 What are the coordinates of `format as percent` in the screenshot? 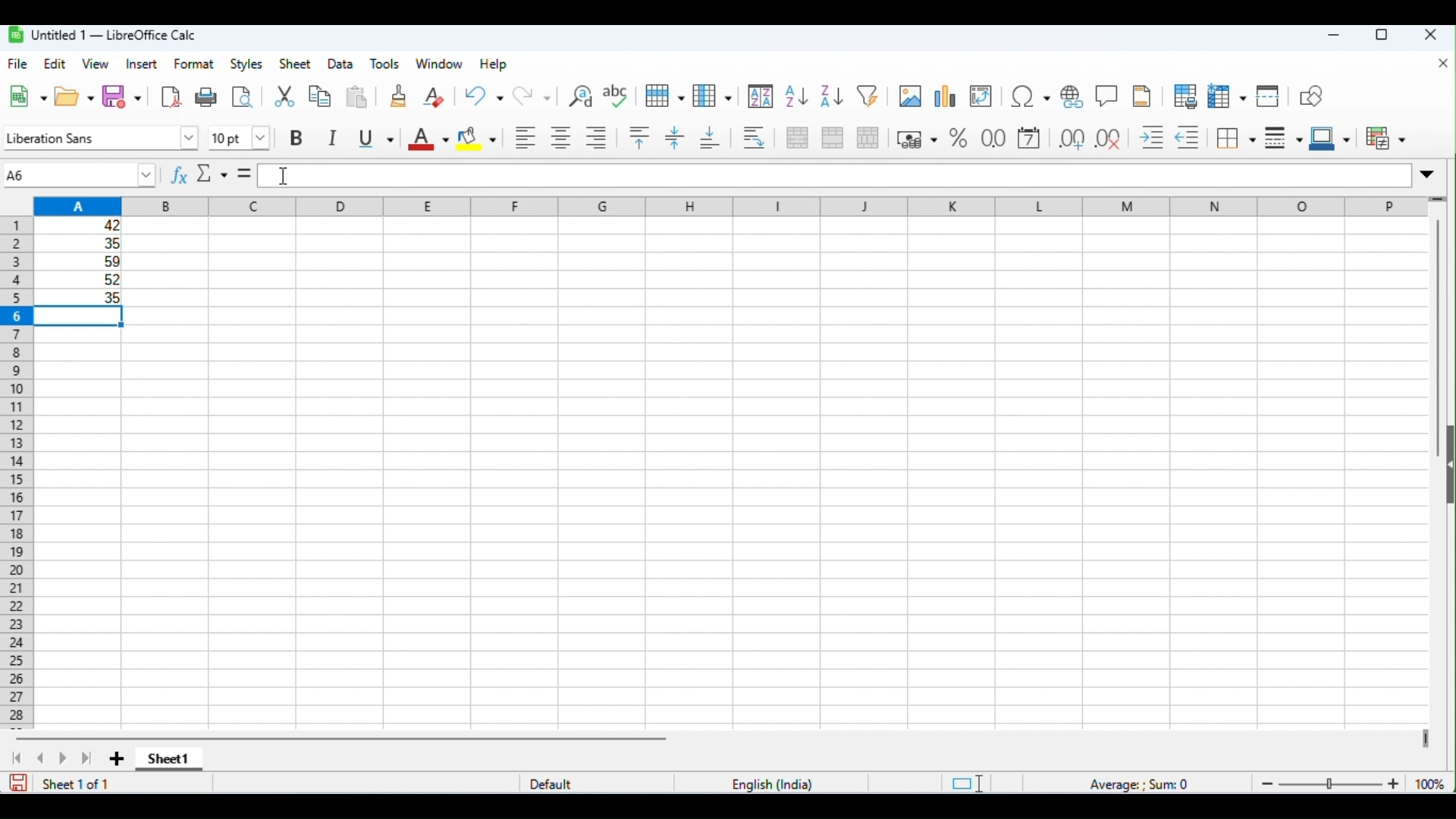 It's located at (957, 138).